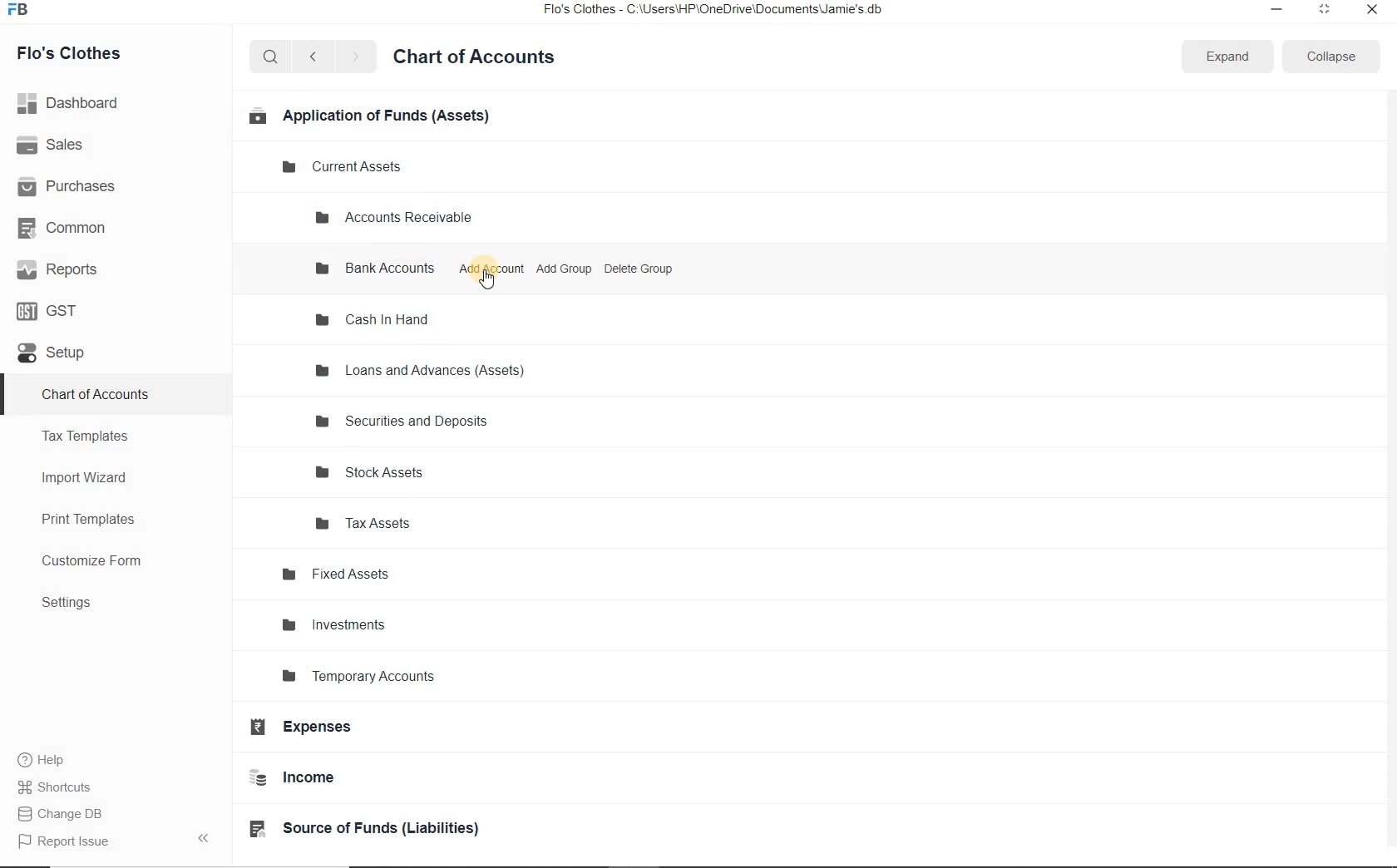  What do you see at coordinates (351, 165) in the screenshot?
I see `Current Assets` at bounding box center [351, 165].